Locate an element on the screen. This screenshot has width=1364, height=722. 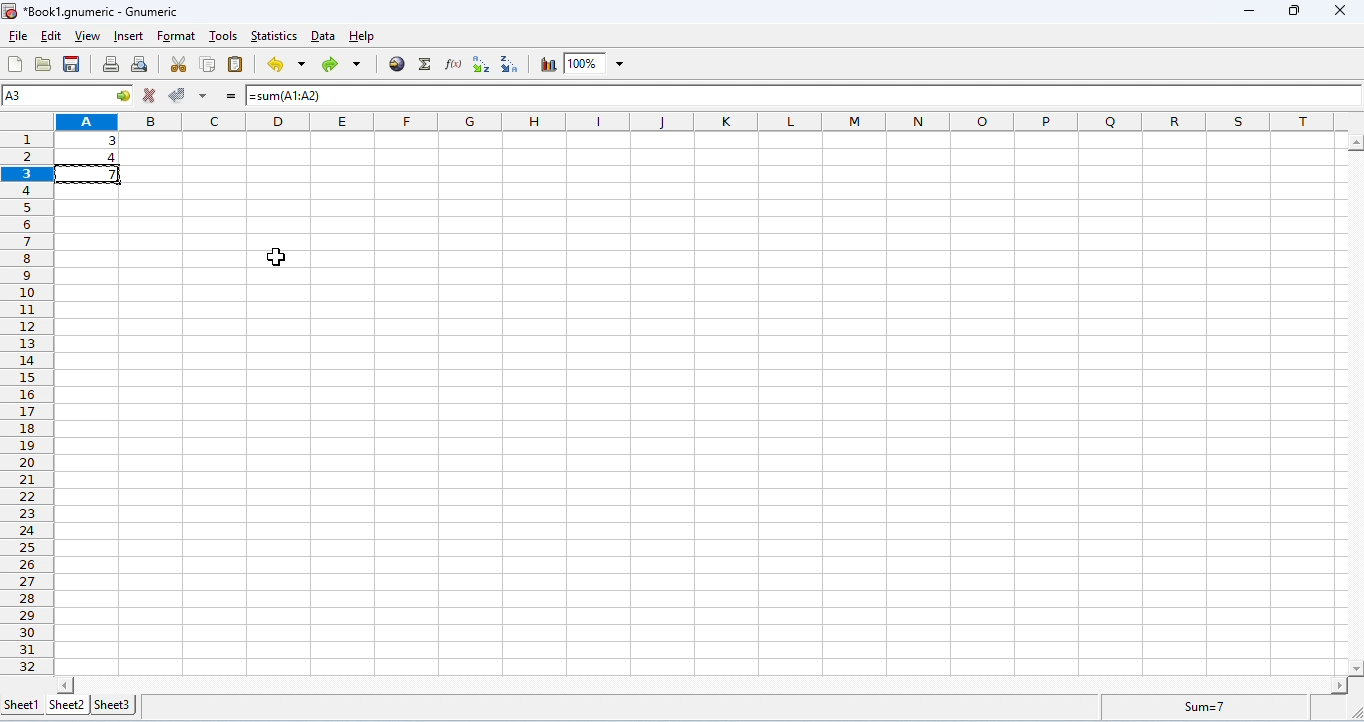
help is located at coordinates (363, 37).